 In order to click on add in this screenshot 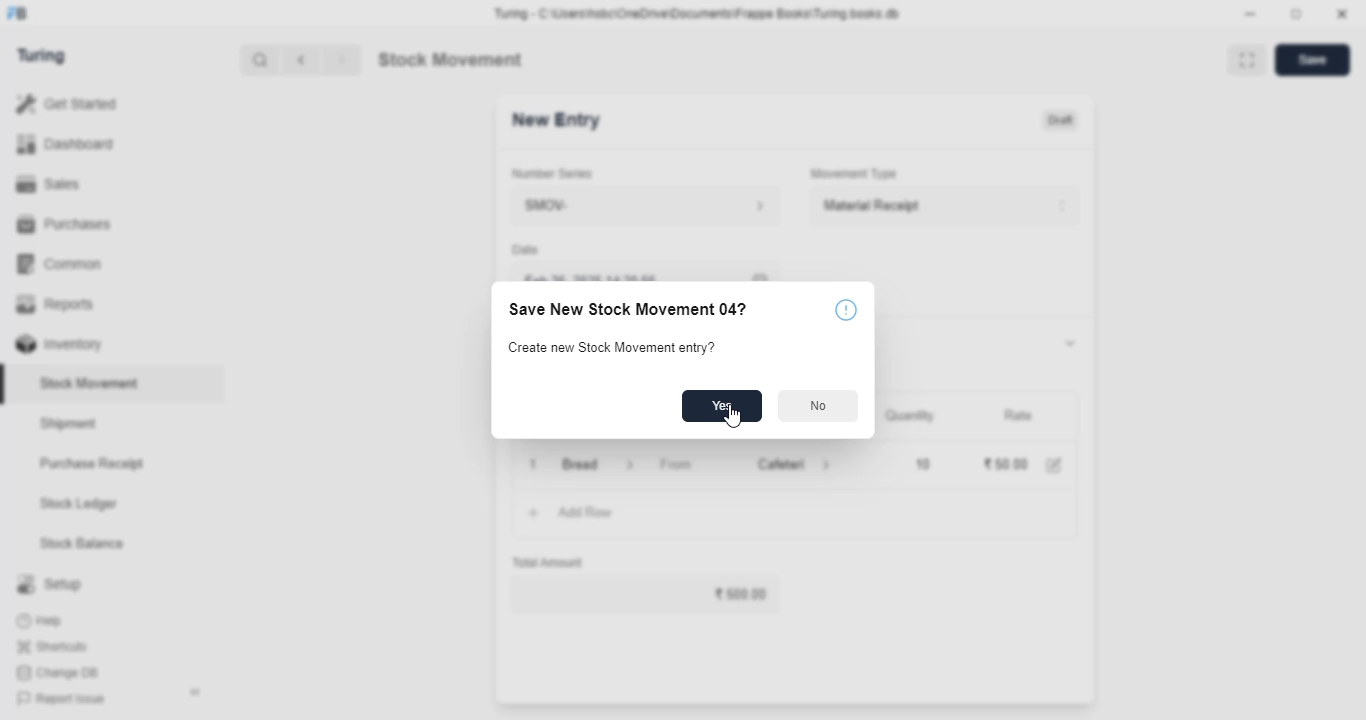, I will do `click(534, 514)`.